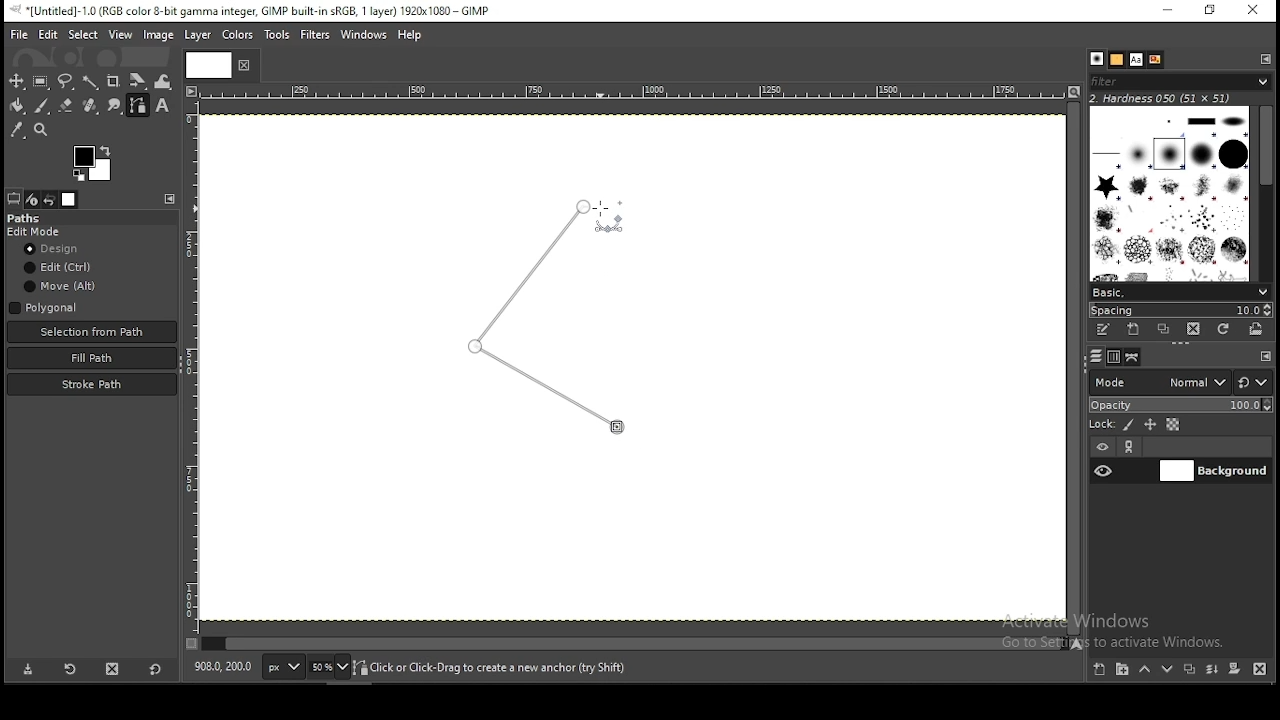 This screenshot has width=1280, height=720. Describe the element at coordinates (38, 80) in the screenshot. I see `rectangle selection tool` at that location.